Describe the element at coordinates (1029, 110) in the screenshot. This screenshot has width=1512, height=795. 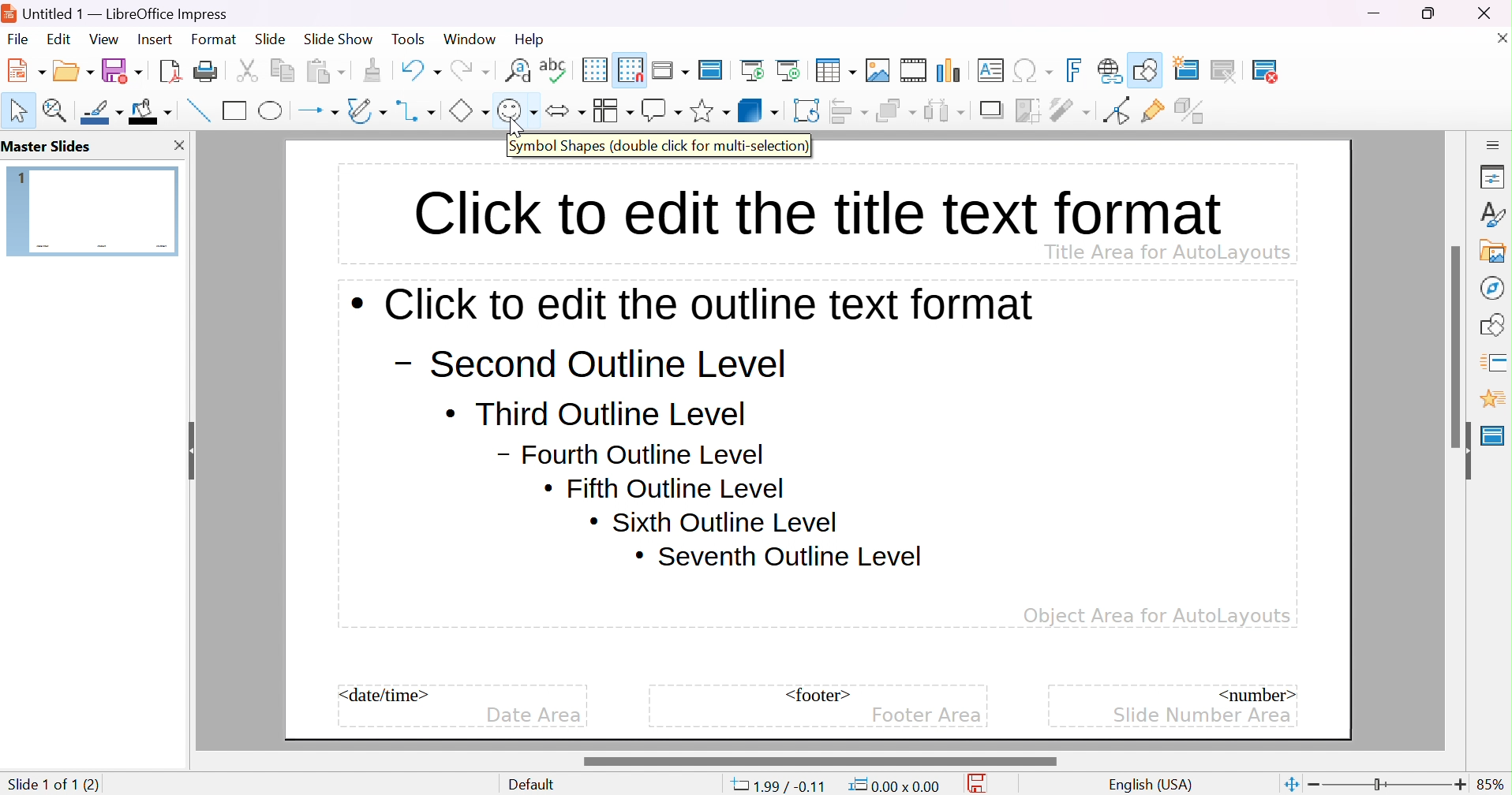
I see `crop image` at that location.